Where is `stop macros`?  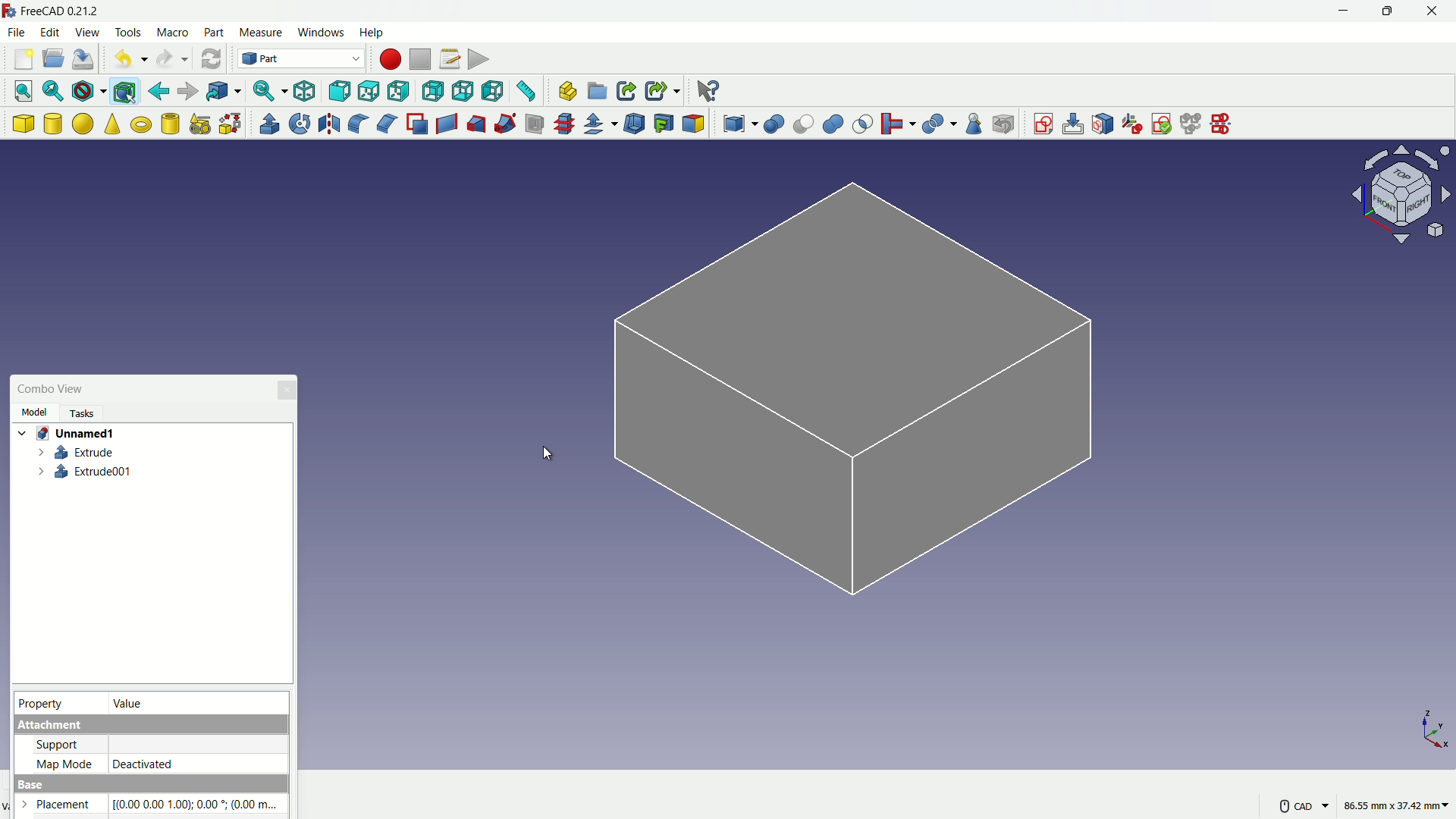
stop macros is located at coordinates (420, 60).